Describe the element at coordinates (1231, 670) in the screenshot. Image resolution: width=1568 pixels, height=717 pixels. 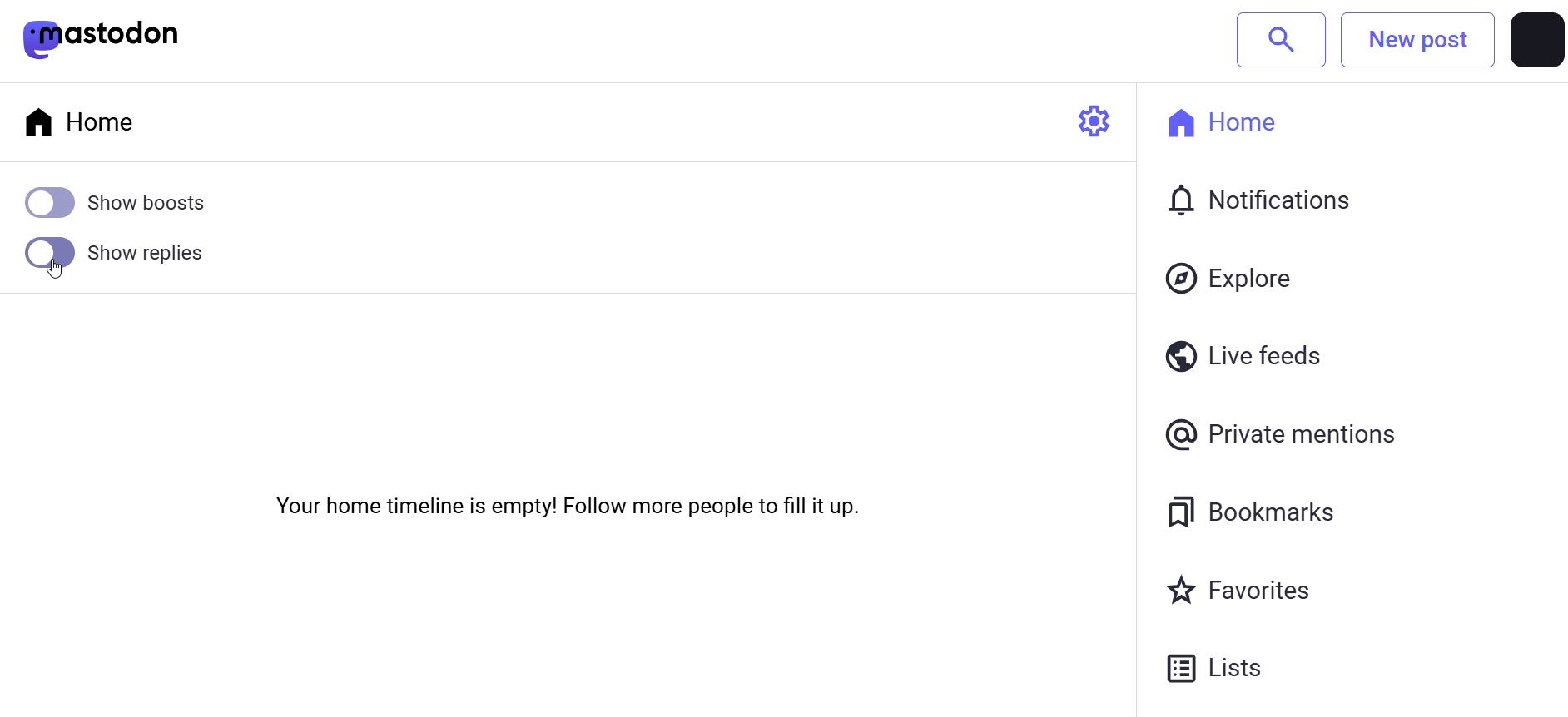
I see `Lists` at that location.